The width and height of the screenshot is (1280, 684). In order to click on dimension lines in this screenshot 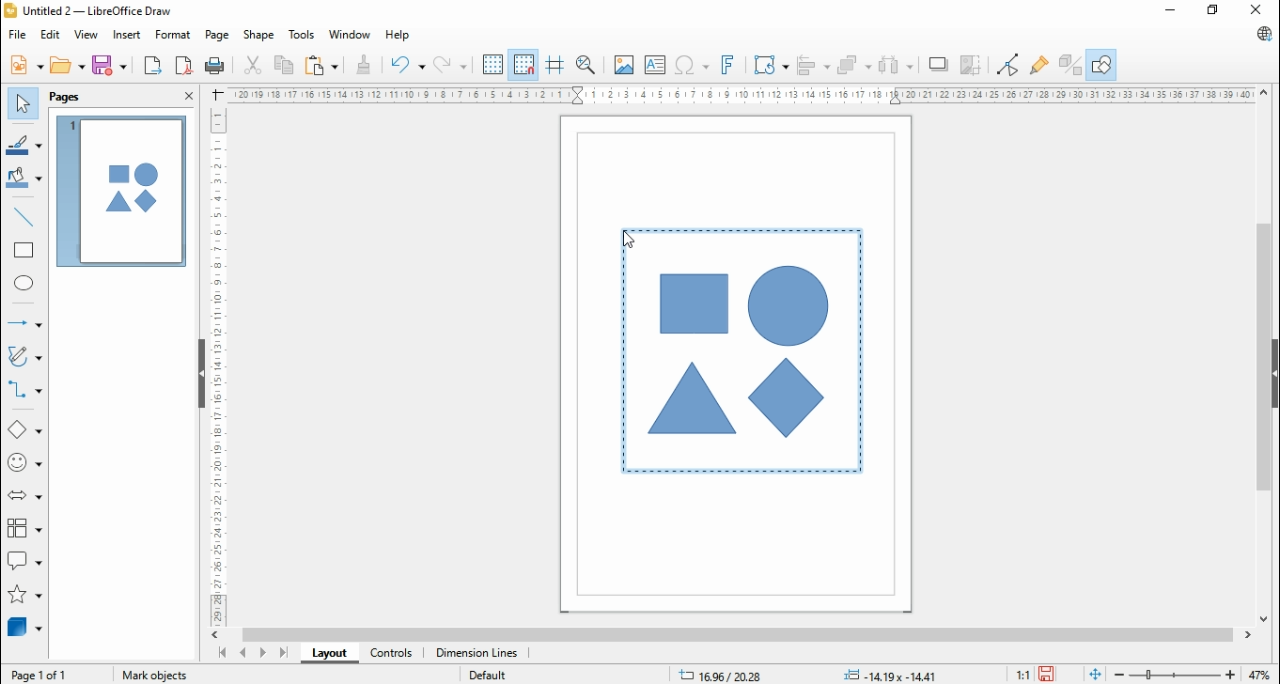, I will do `click(476, 654)`.